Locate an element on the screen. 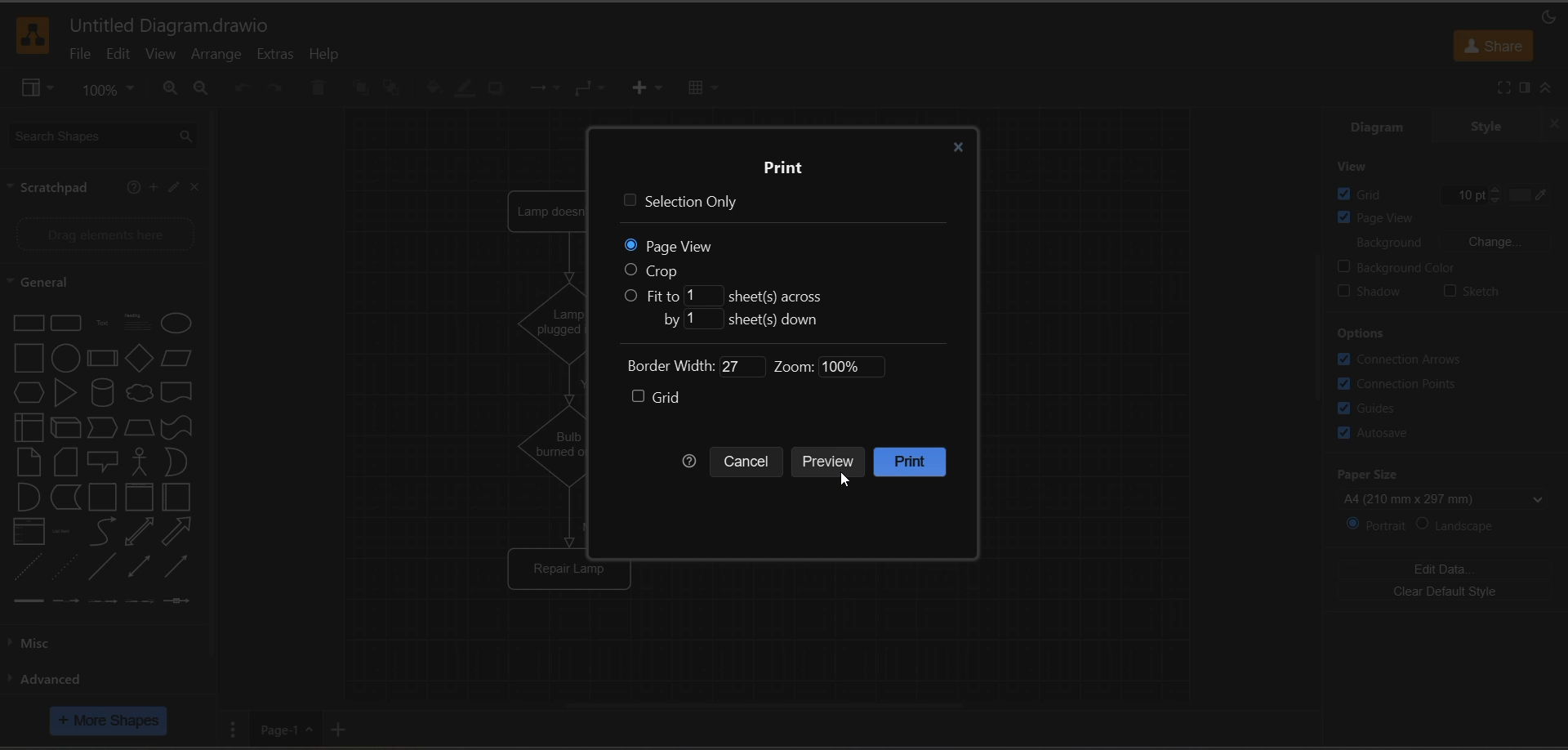  print is located at coordinates (782, 166).